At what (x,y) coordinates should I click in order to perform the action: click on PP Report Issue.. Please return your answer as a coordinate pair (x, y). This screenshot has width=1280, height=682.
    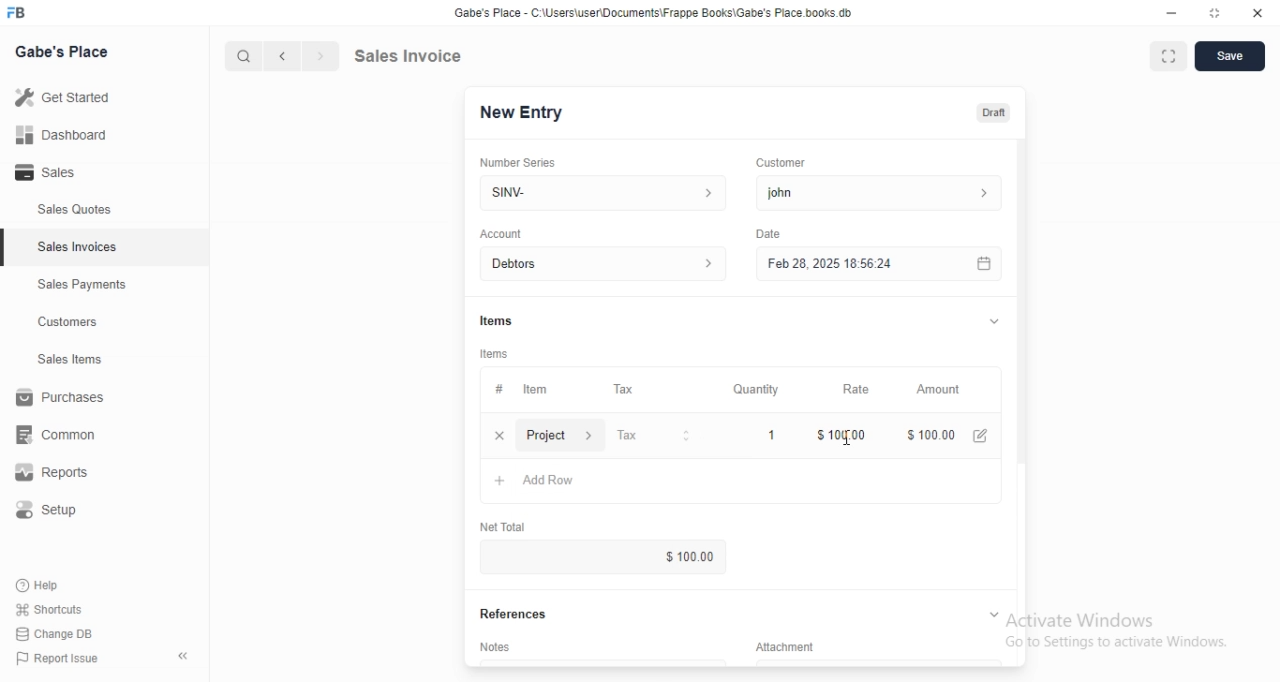
    Looking at the image, I should click on (64, 662).